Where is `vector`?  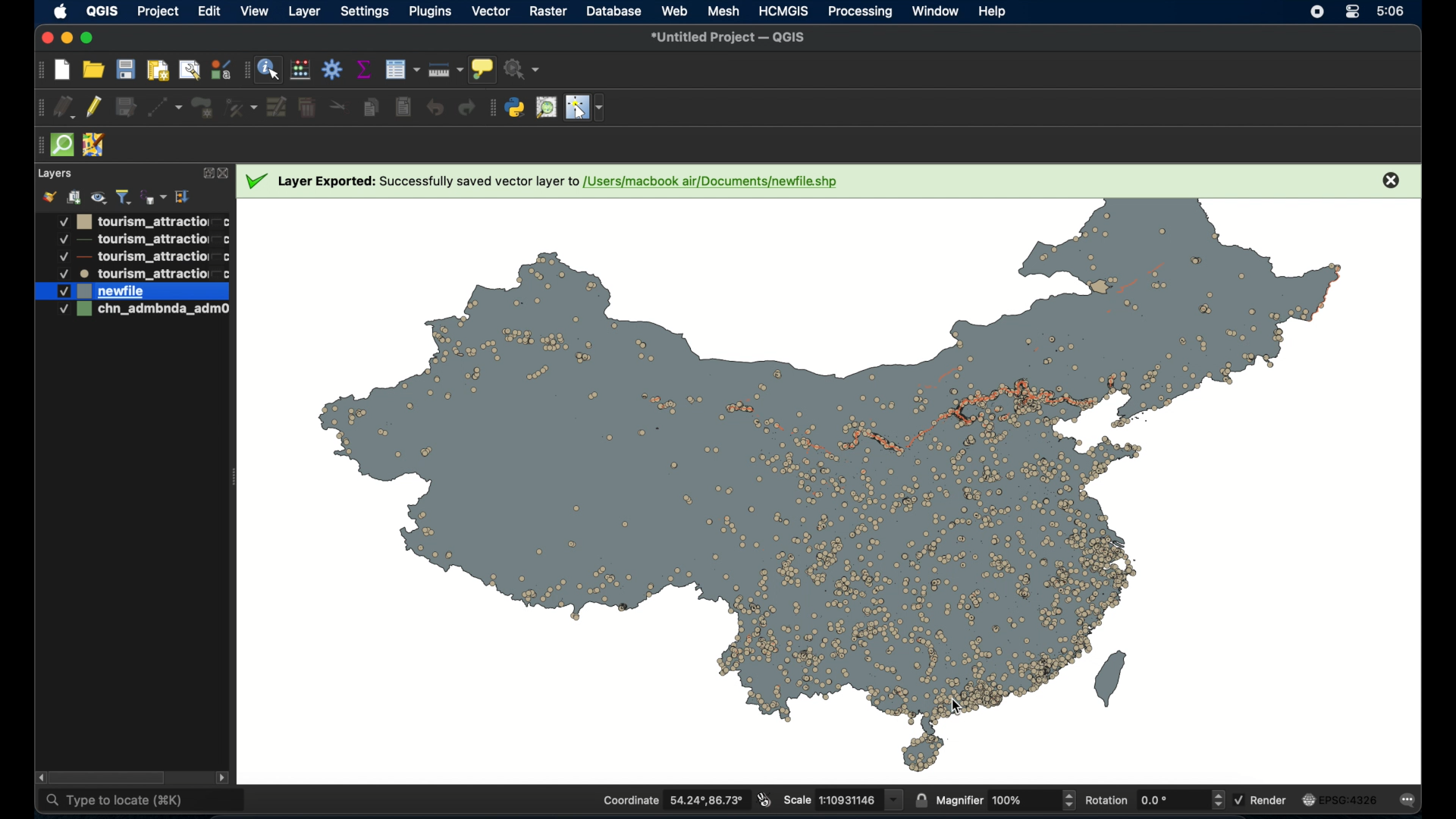 vector is located at coordinates (492, 12).